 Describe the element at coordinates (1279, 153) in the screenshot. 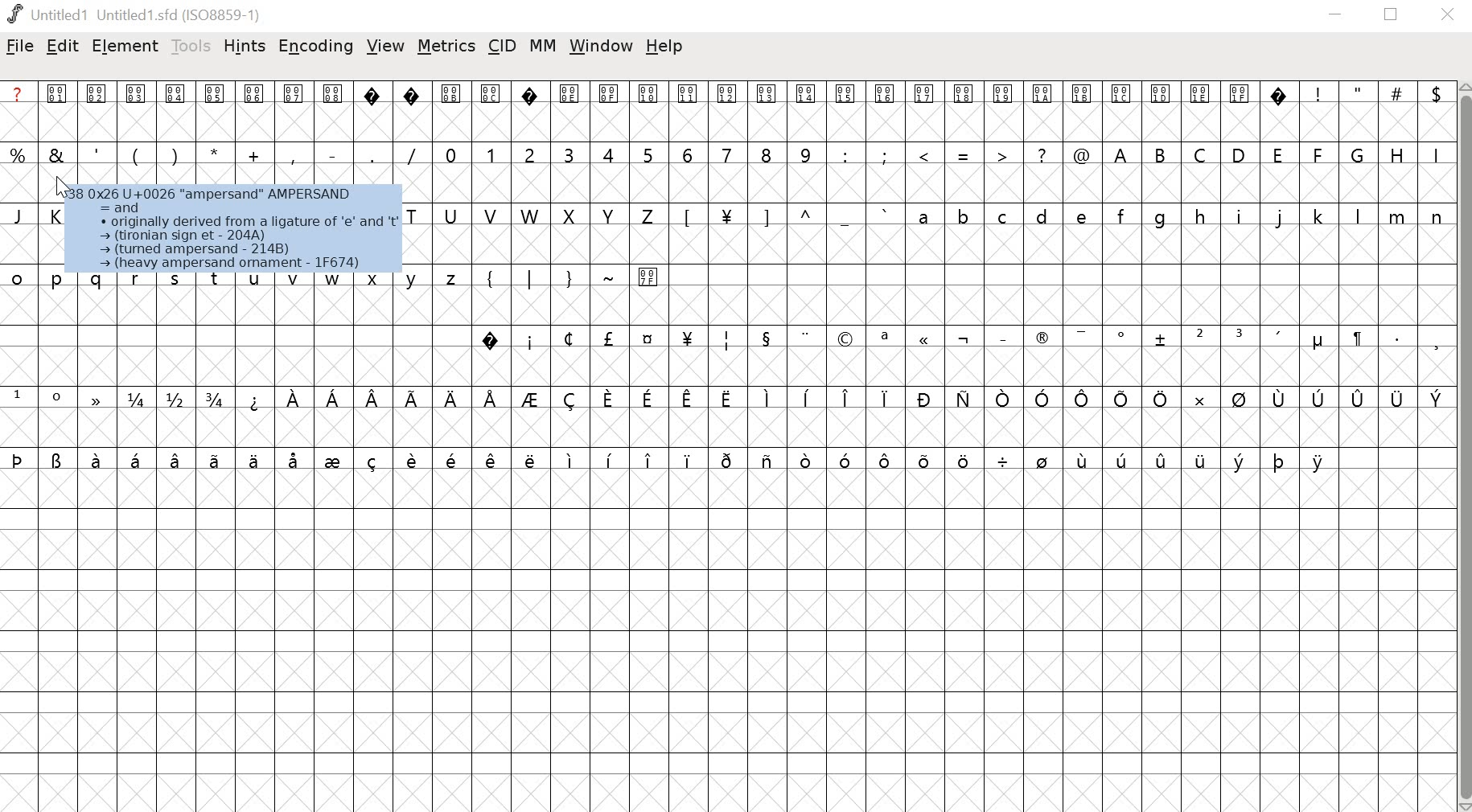

I see `E` at that location.